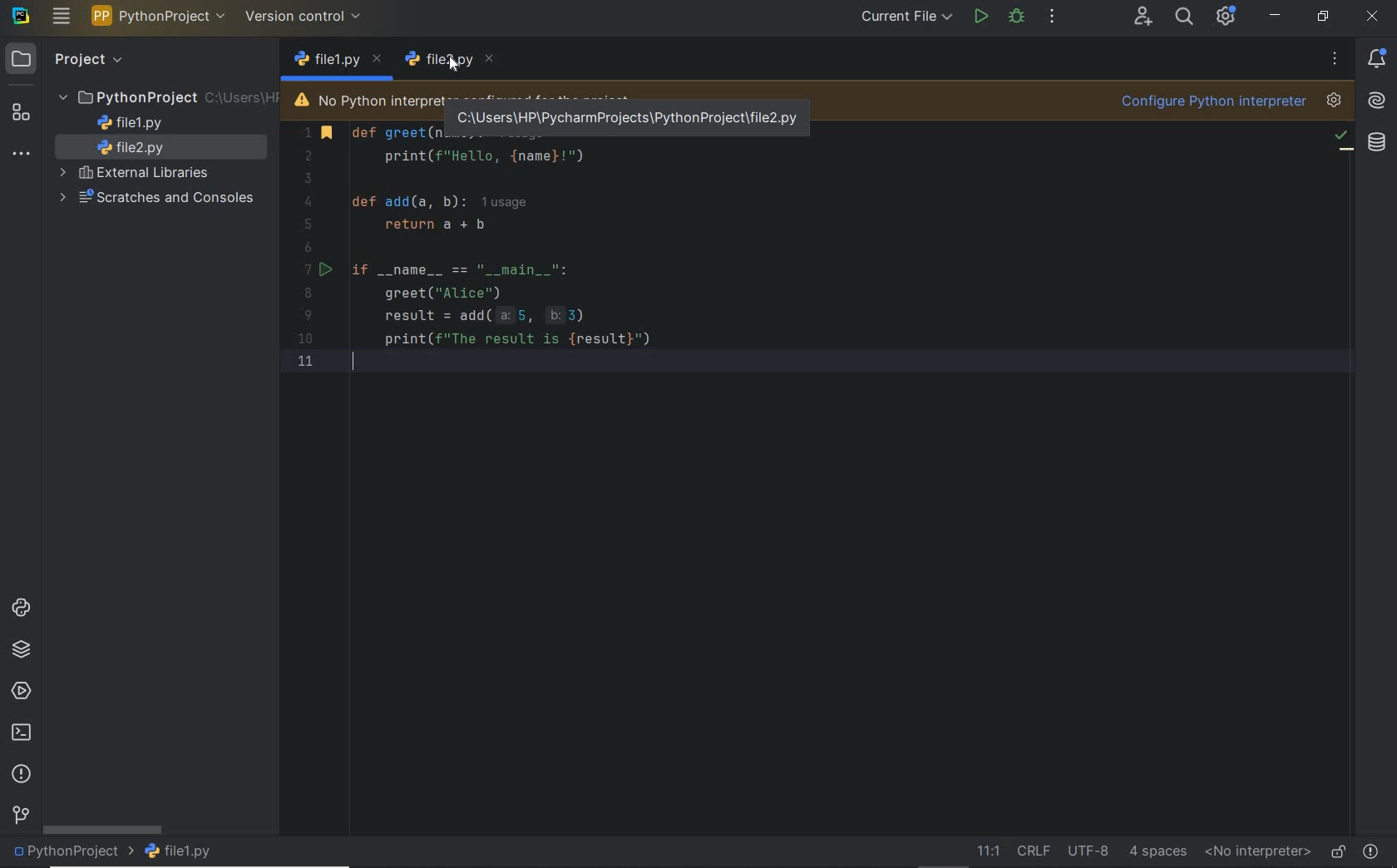  Describe the element at coordinates (1089, 850) in the screenshot. I see `file encoding` at that location.